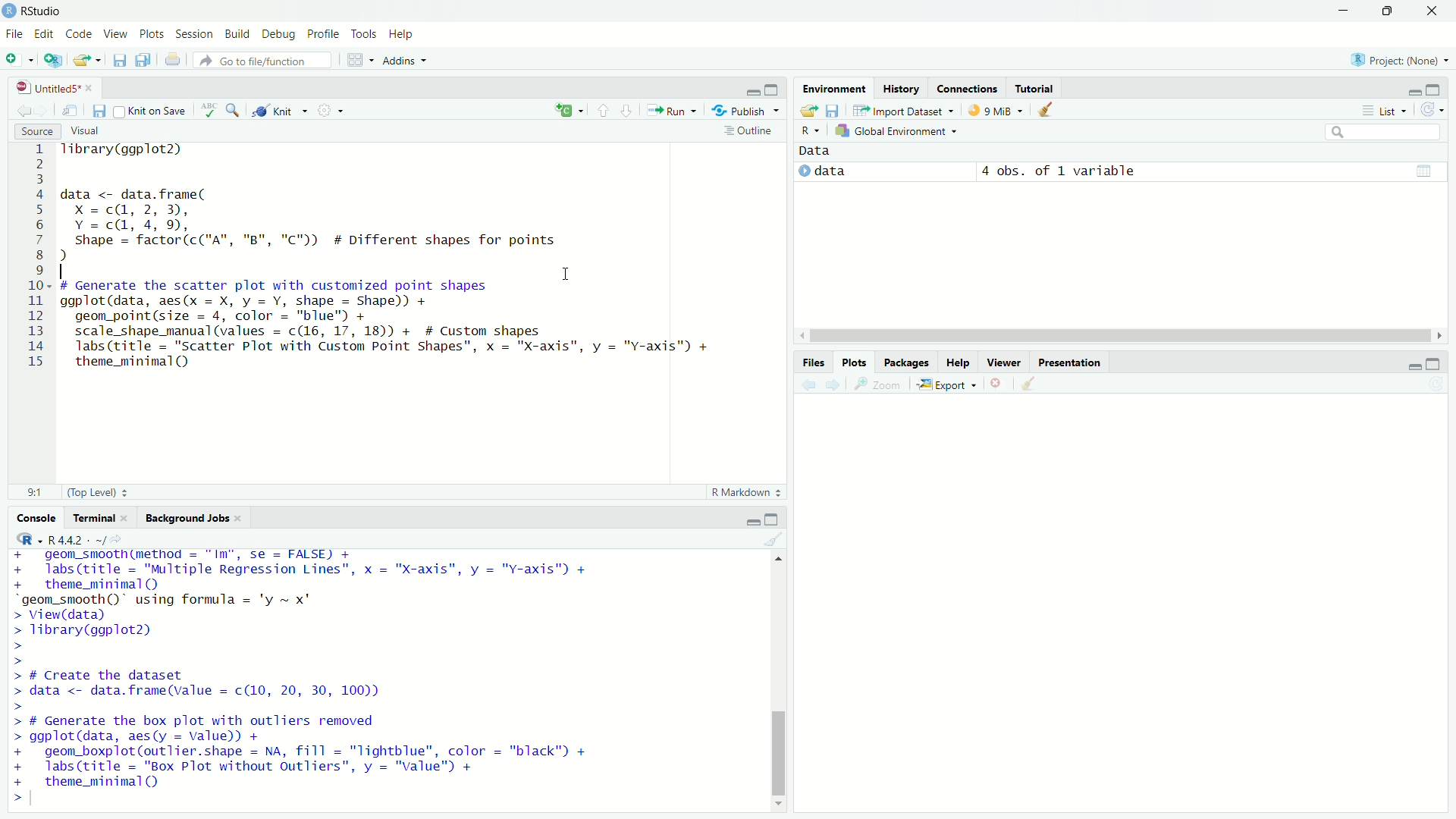 The image size is (1456, 819). Describe the element at coordinates (1046, 109) in the screenshot. I see `Clear objects from workspace` at that location.